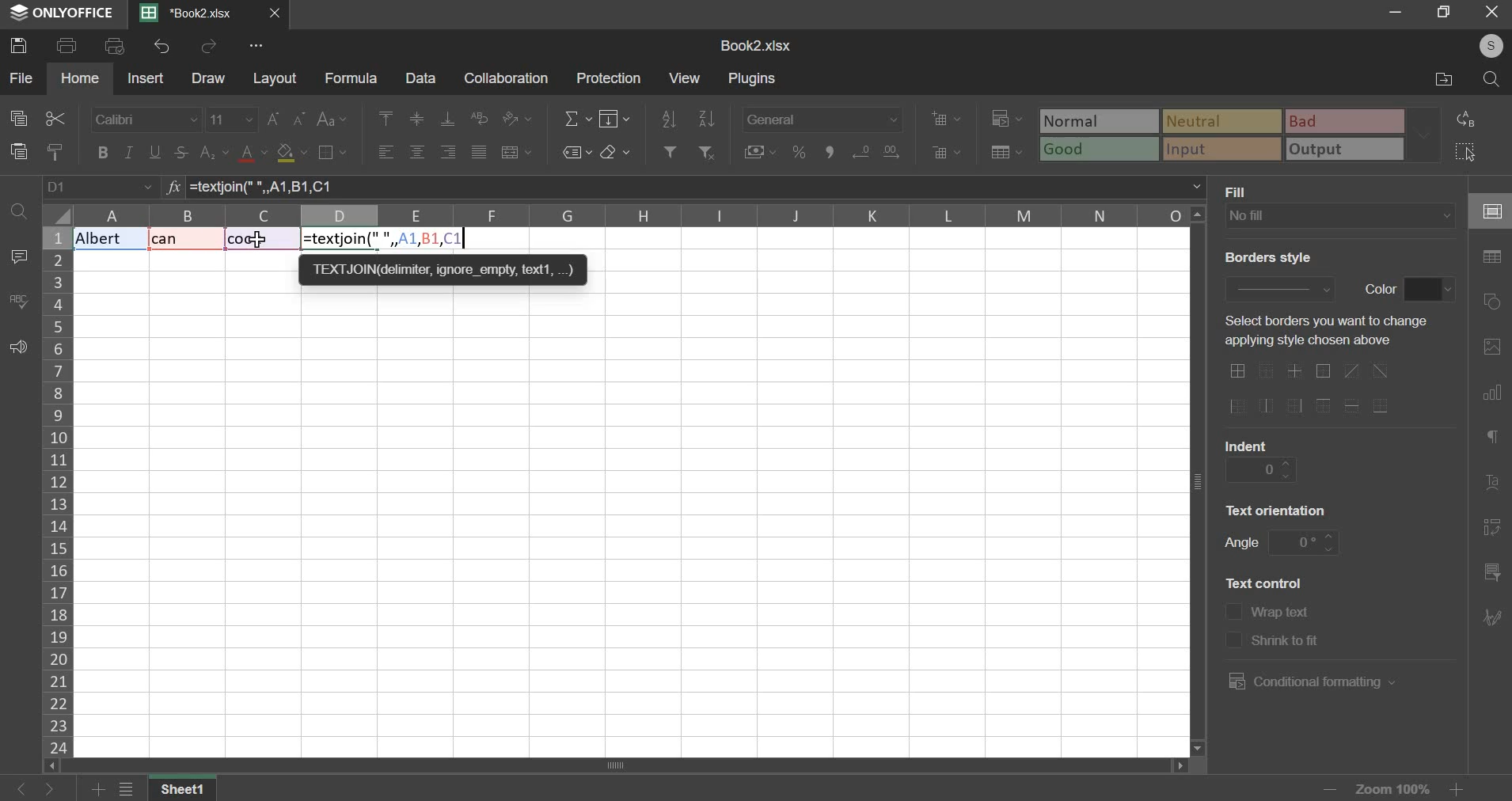 The width and height of the screenshot is (1512, 801). I want to click on undo, so click(161, 46).